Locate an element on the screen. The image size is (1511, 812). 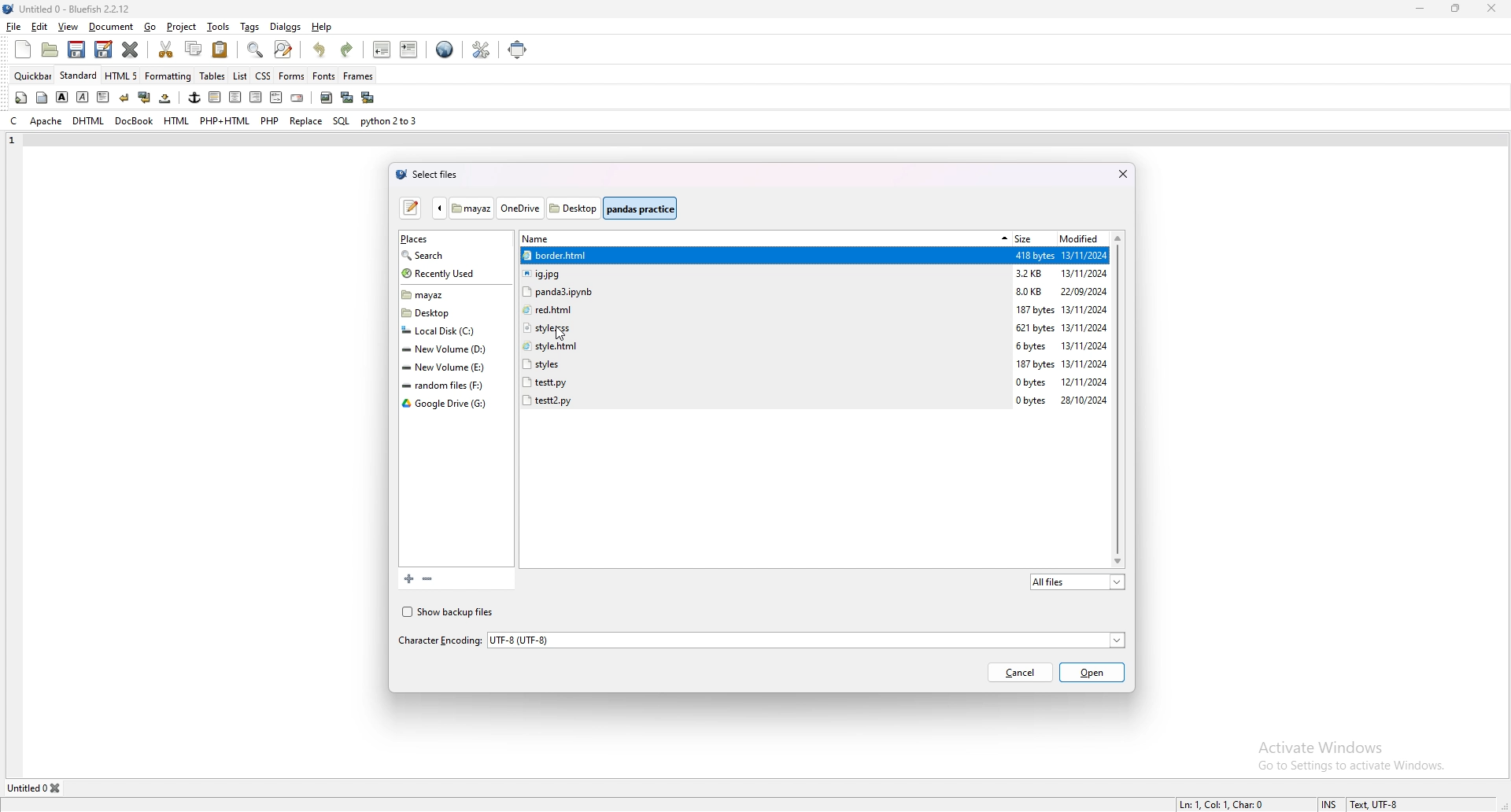
html 5 is located at coordinates (121, 76).